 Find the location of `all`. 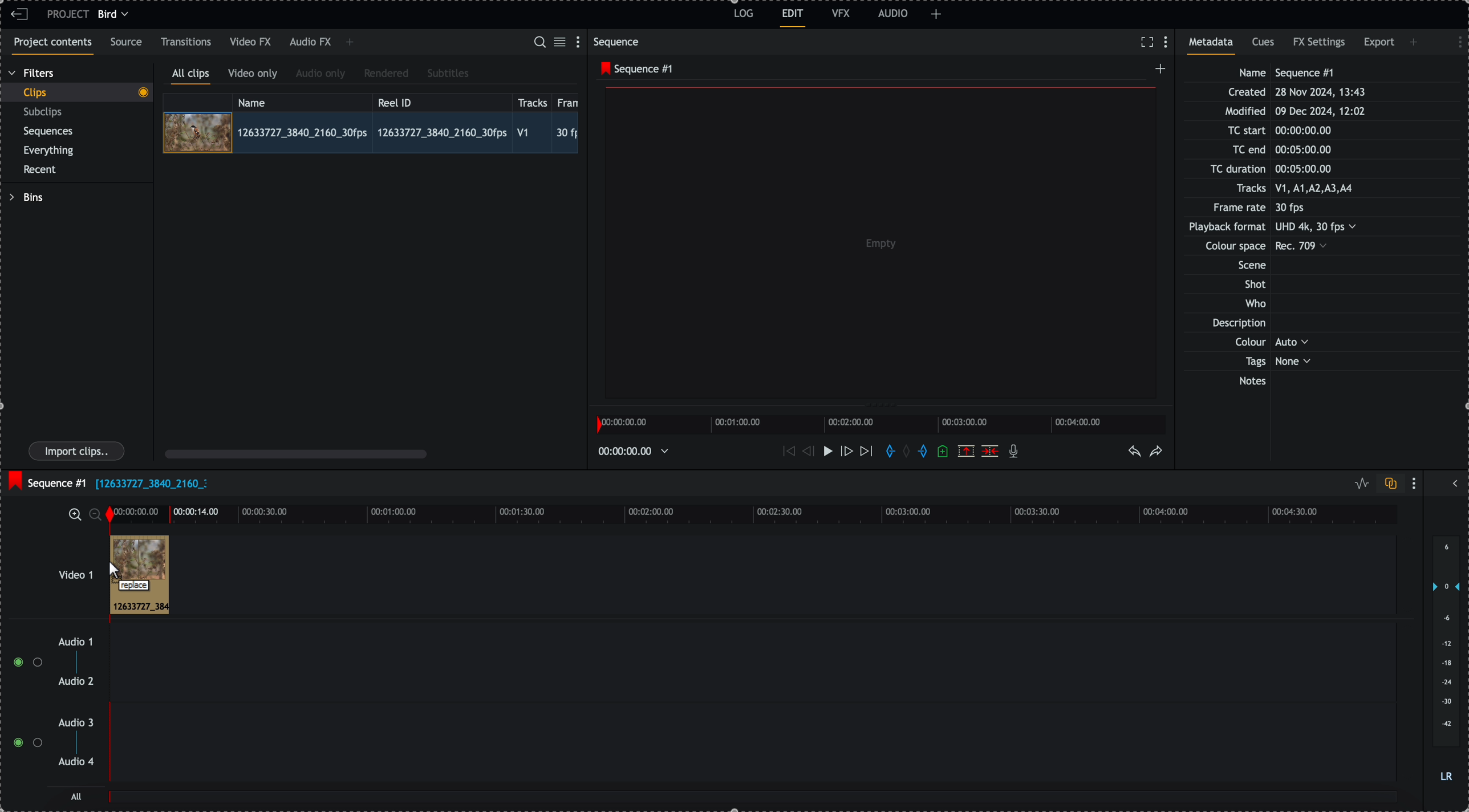

all is located at coordinates (754, 802).